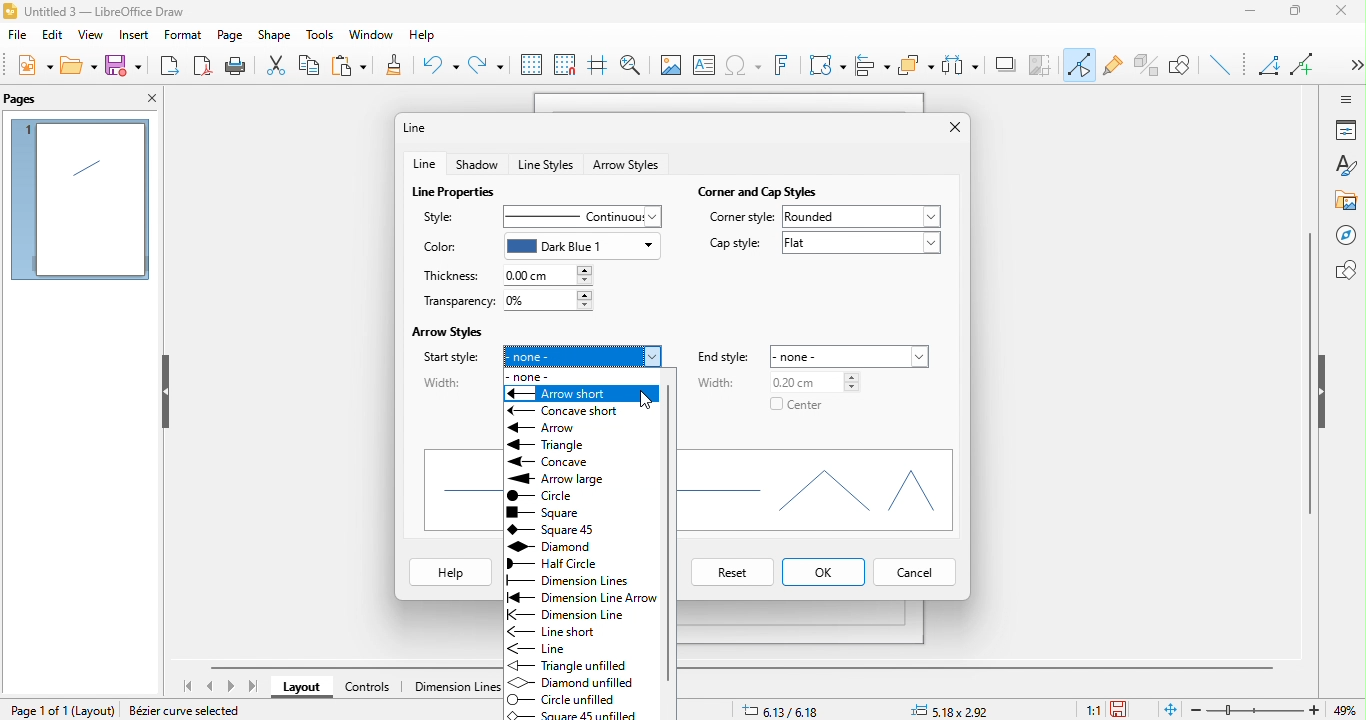  What do you see at coordinates (916, 574) in the screenshot?
I see `cancel` at bounding box center [916, 574].